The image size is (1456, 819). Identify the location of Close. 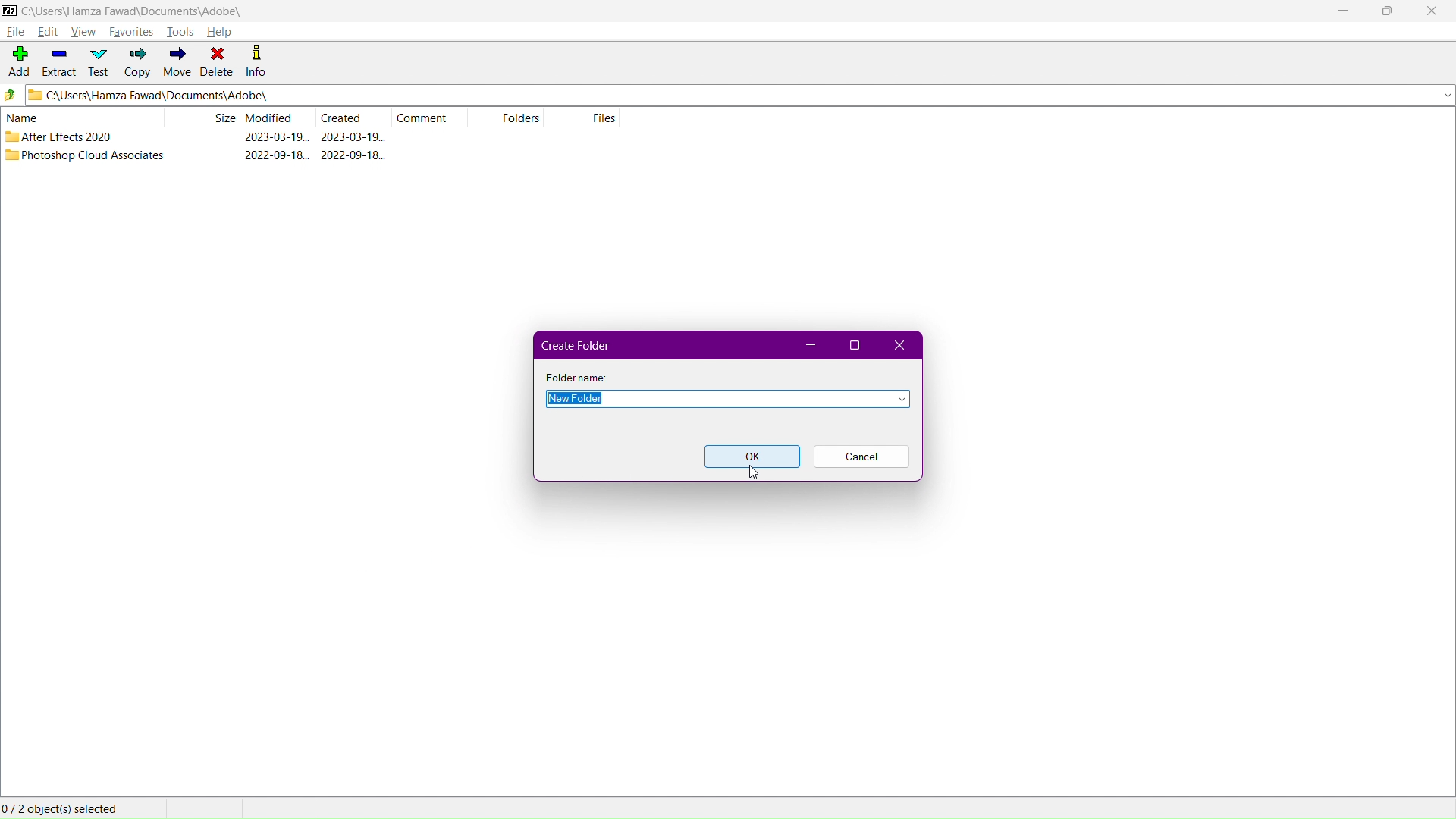
(1435, 11).